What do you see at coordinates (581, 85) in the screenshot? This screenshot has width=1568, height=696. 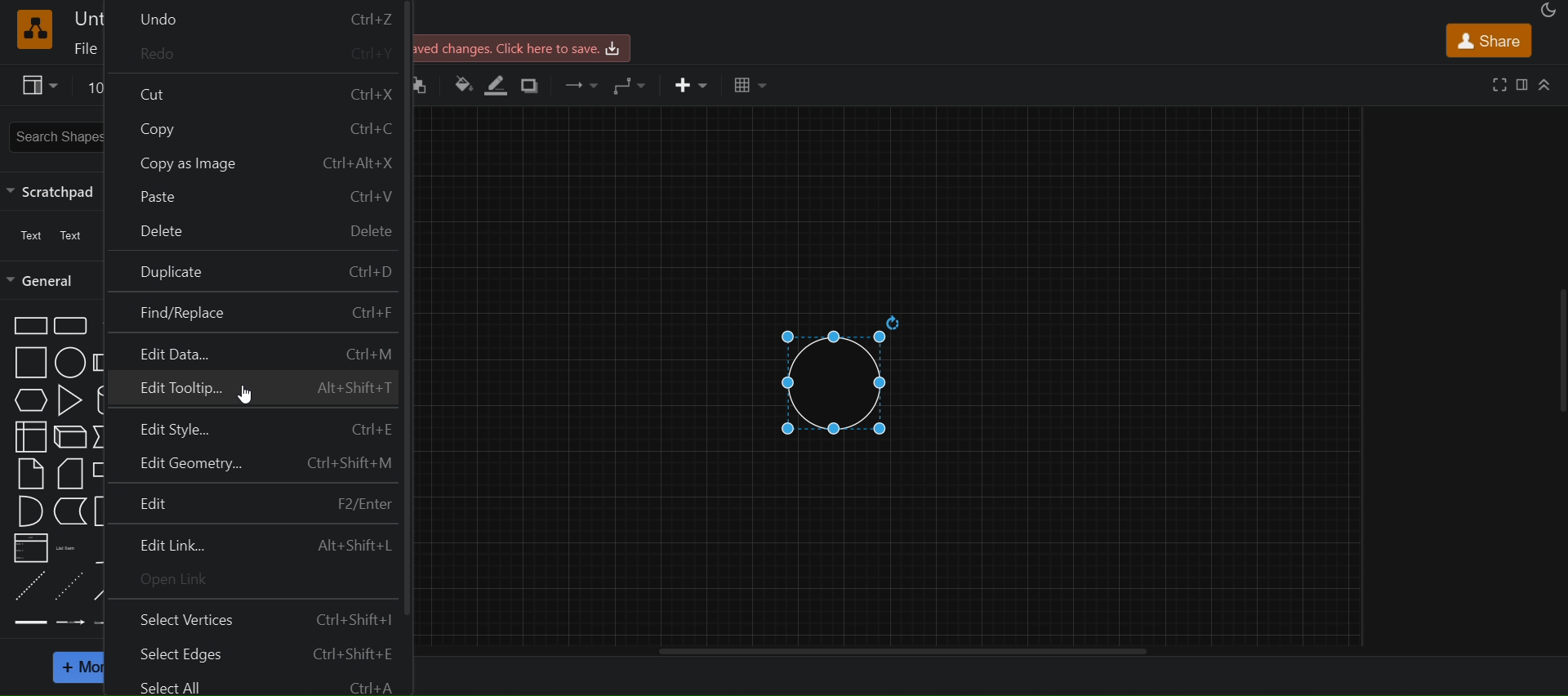 I see `connection` at bounding box center [581, 85].